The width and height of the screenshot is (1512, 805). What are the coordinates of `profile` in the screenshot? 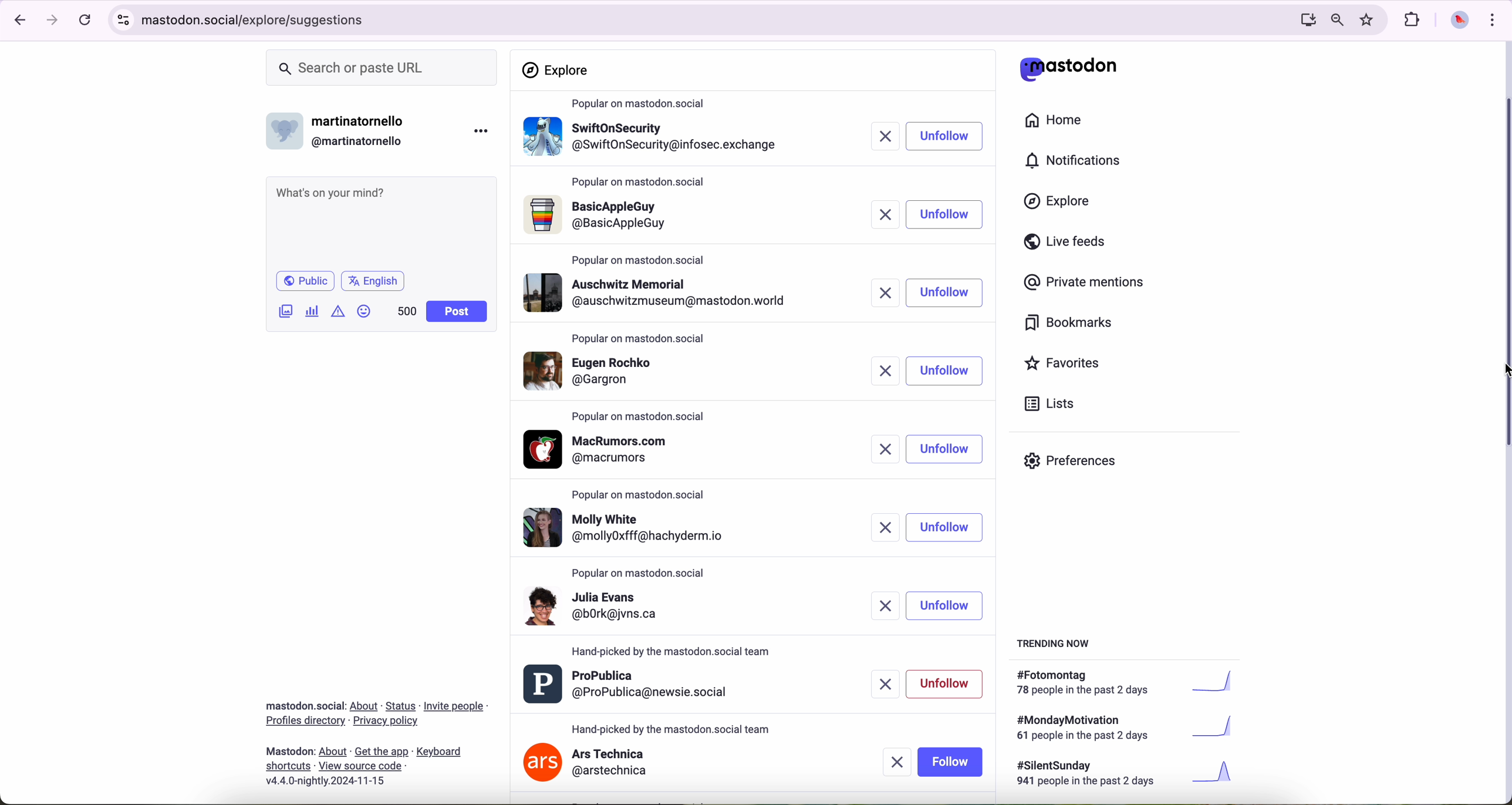 It's located at (629, 685).